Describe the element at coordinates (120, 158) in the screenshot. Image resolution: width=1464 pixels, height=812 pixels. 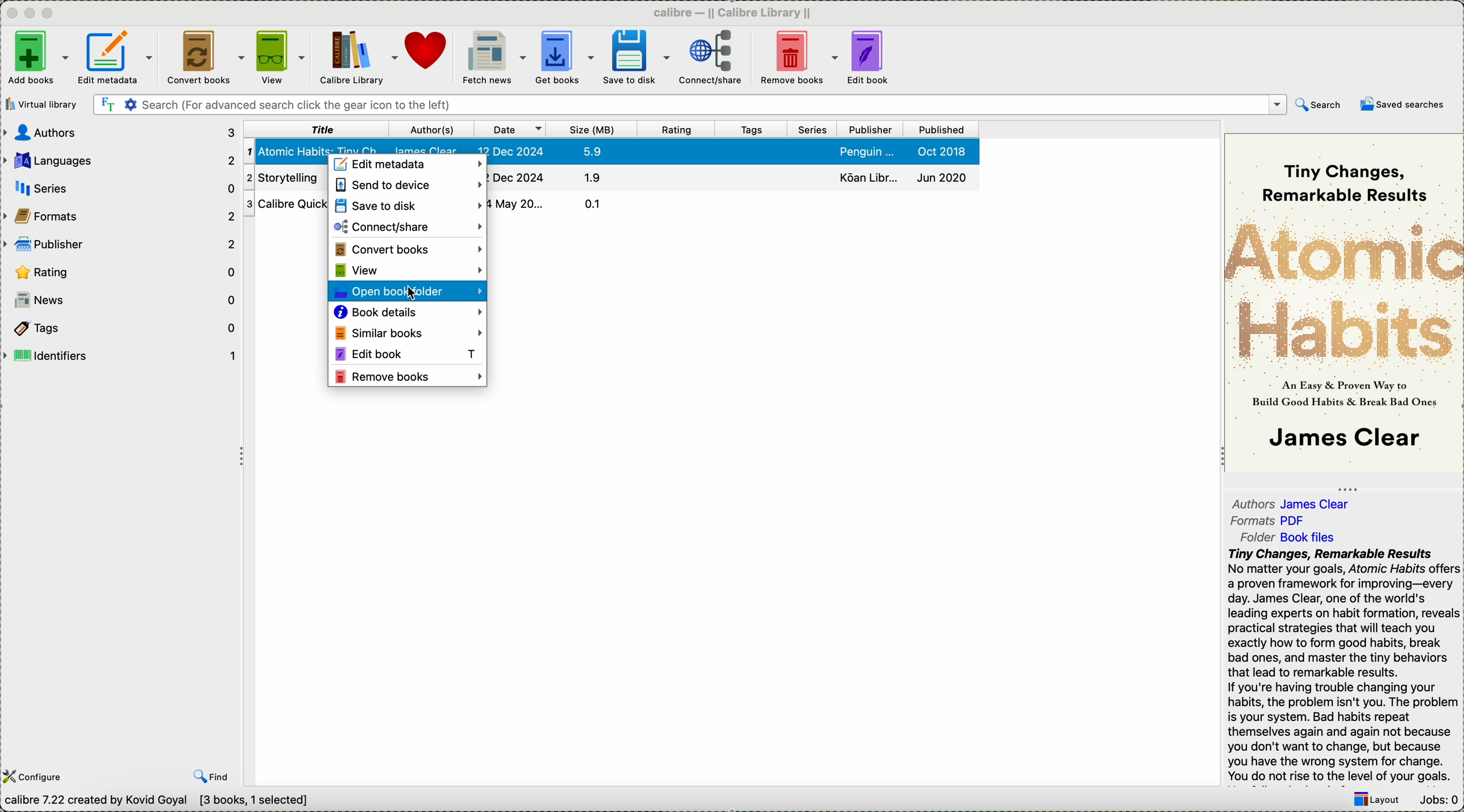
I see `languages` at that location.